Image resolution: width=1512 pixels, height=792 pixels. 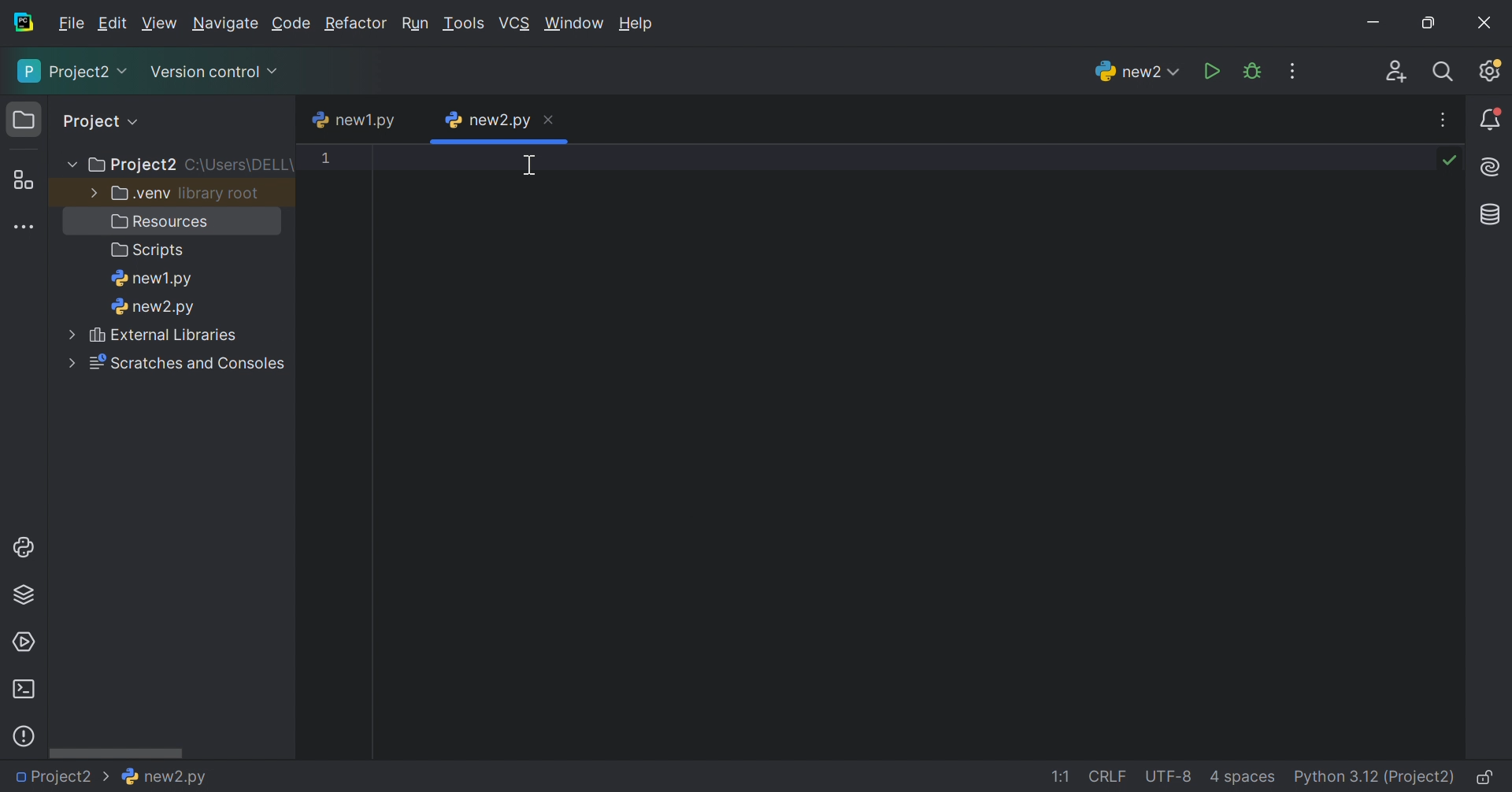 I want to click on Close, so click(x=1488, y=19).